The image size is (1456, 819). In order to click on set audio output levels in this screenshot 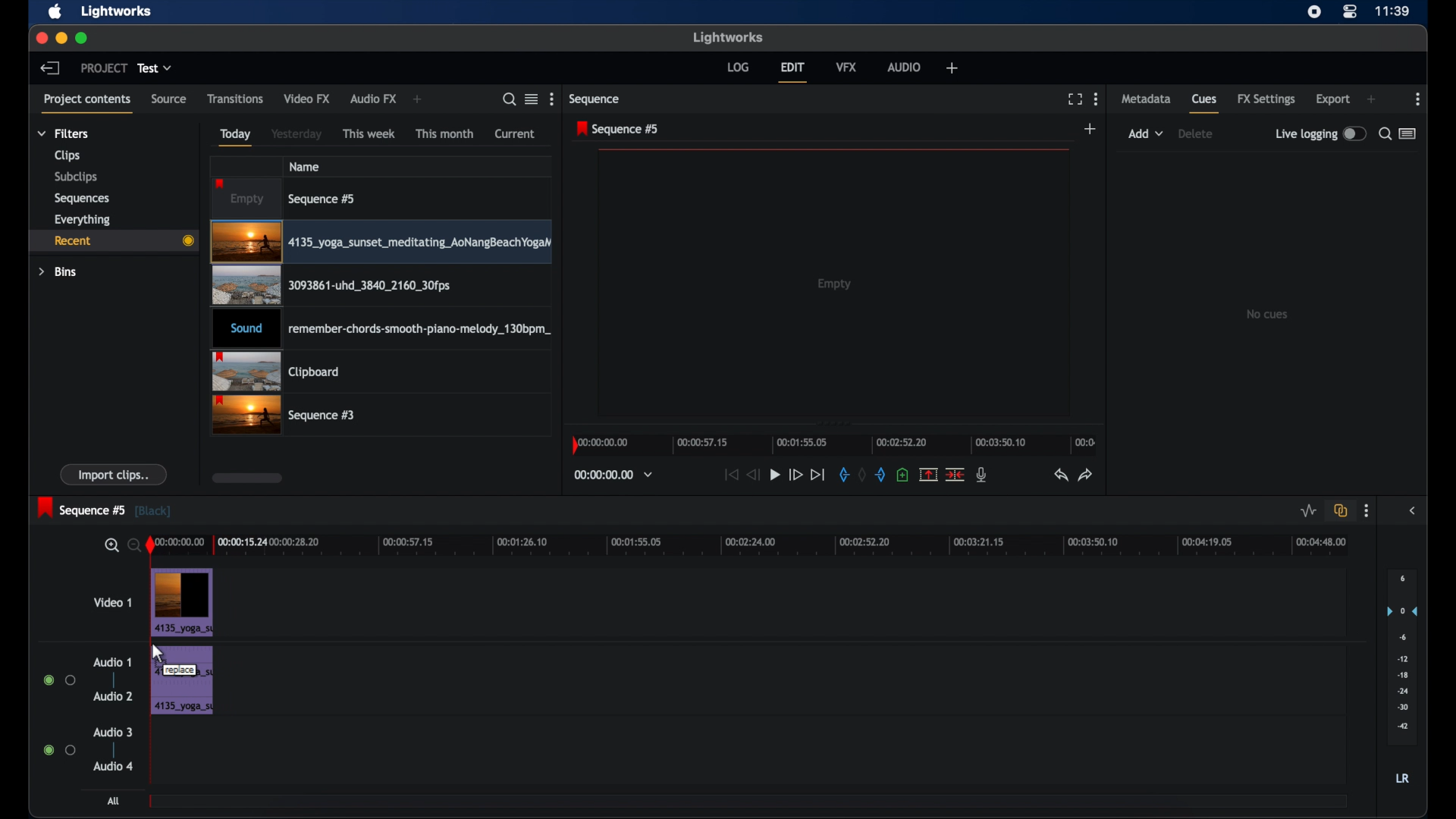, I will do `click(1401, 657)`.